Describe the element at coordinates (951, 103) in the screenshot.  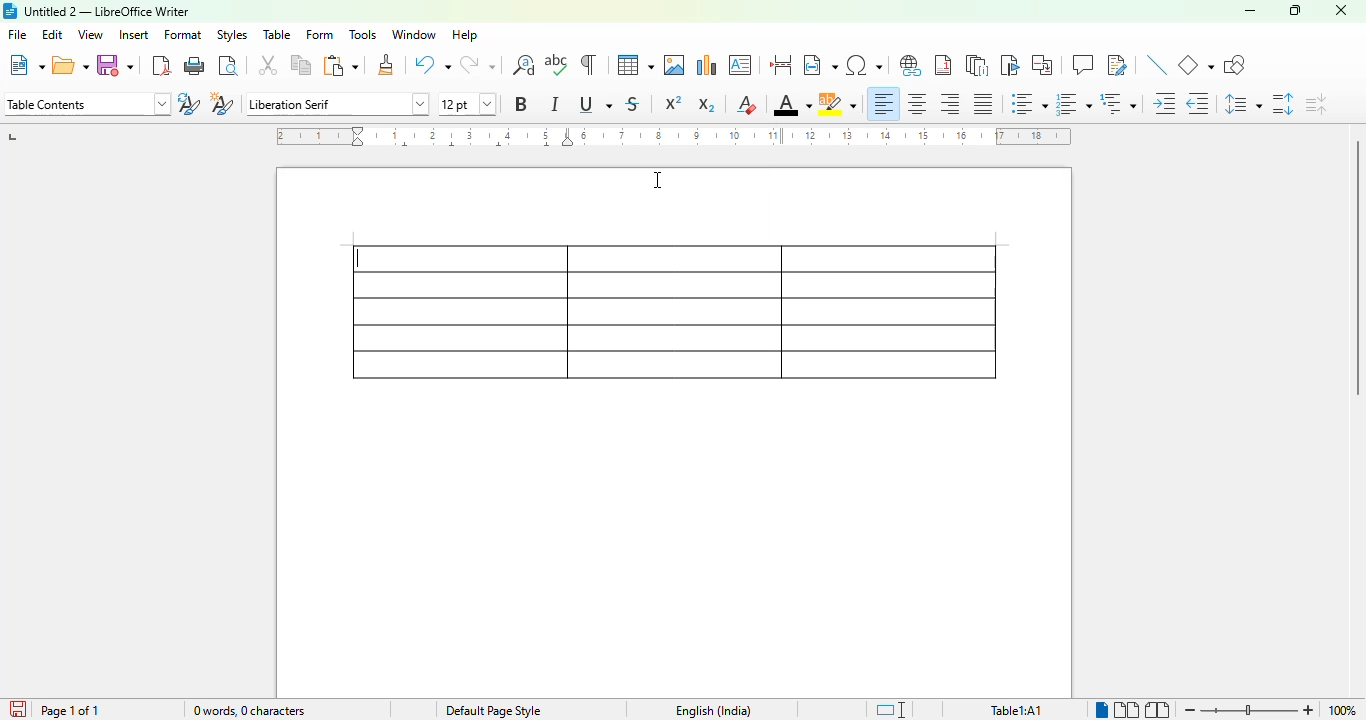
I see `align right` at that location.